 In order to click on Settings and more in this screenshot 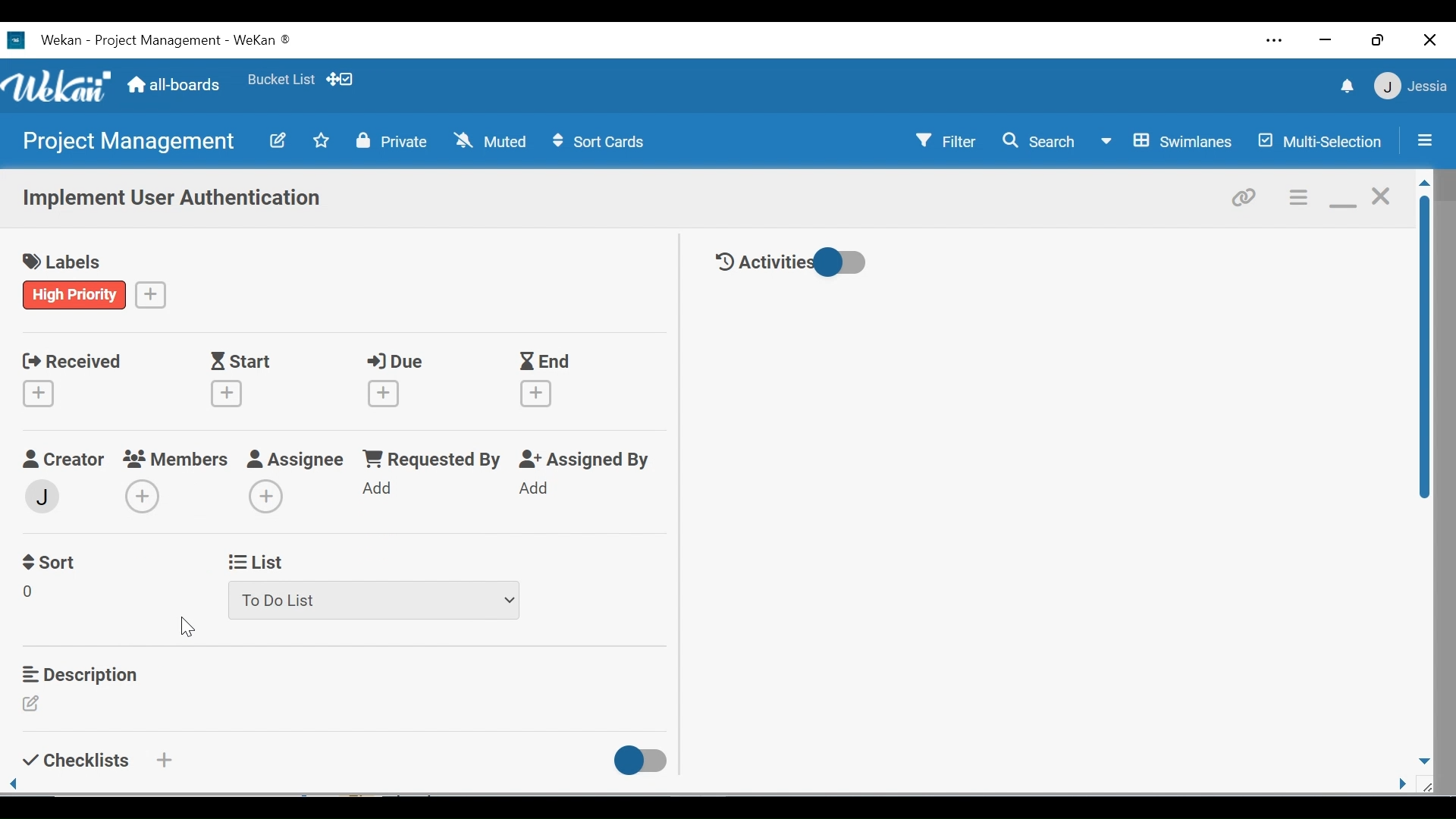, I will do `click(1275, 42)`.